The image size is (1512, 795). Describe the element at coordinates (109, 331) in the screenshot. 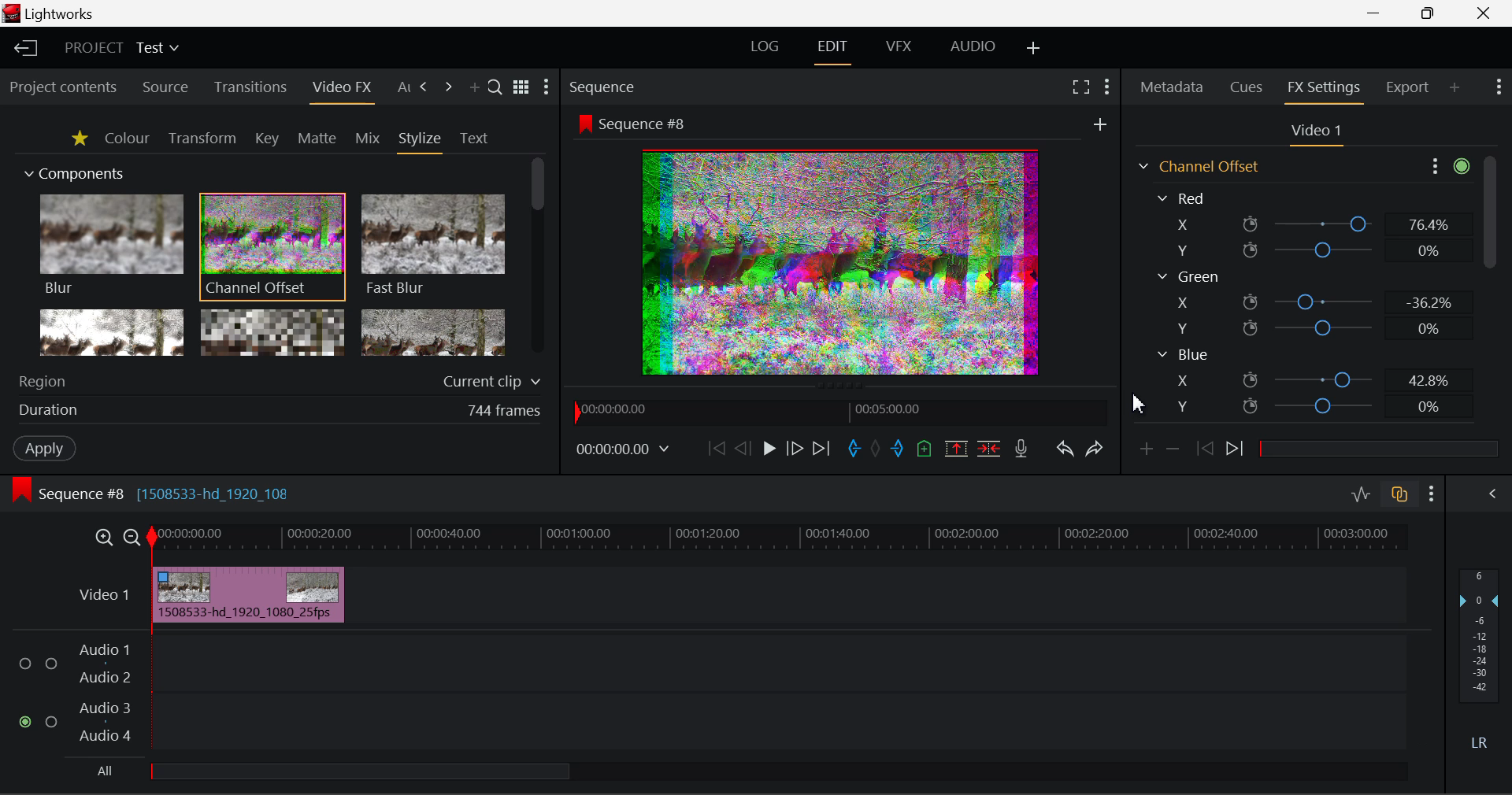

I see `Glow` at that location.